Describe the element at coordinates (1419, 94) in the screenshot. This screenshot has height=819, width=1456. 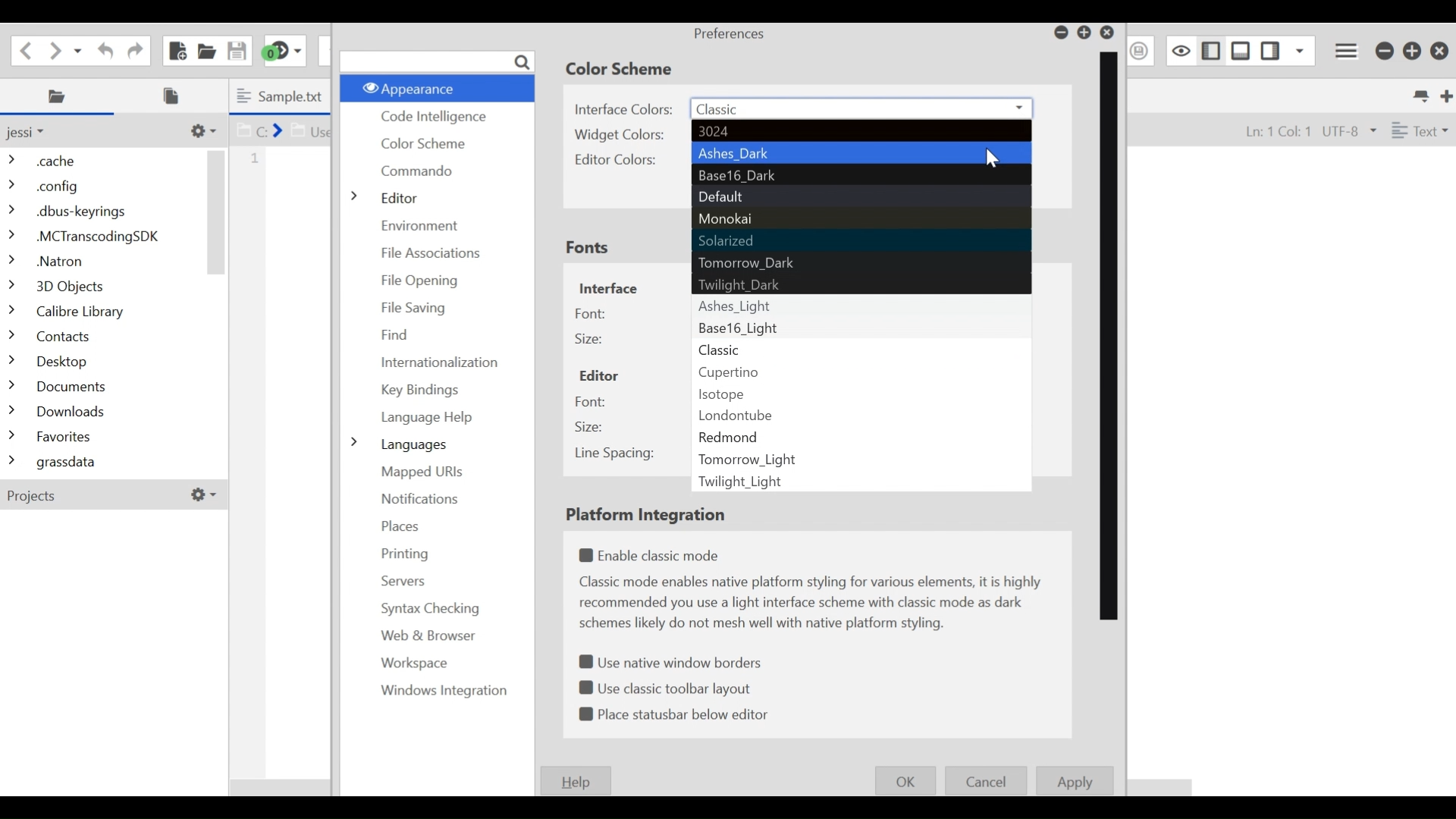
I see `List all tabs` at that location.